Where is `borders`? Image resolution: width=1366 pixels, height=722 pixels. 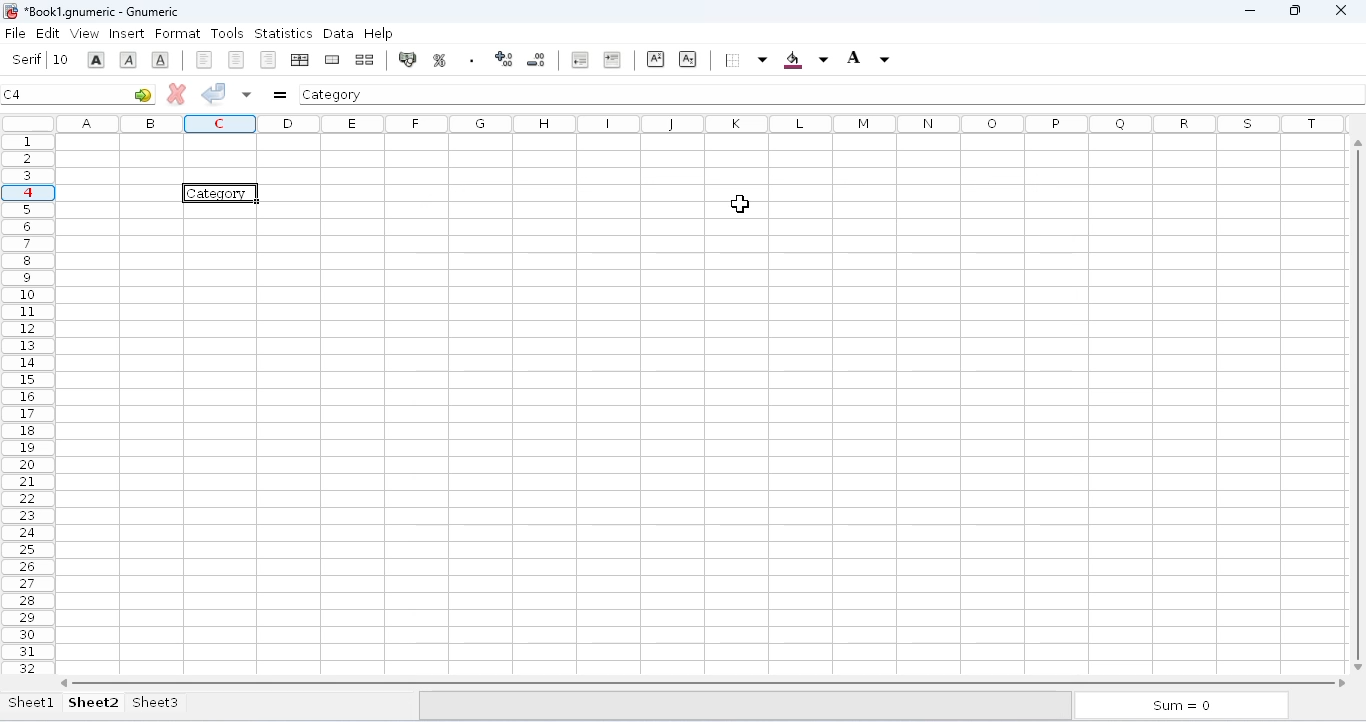
borders is located at coordinates (781, 60).